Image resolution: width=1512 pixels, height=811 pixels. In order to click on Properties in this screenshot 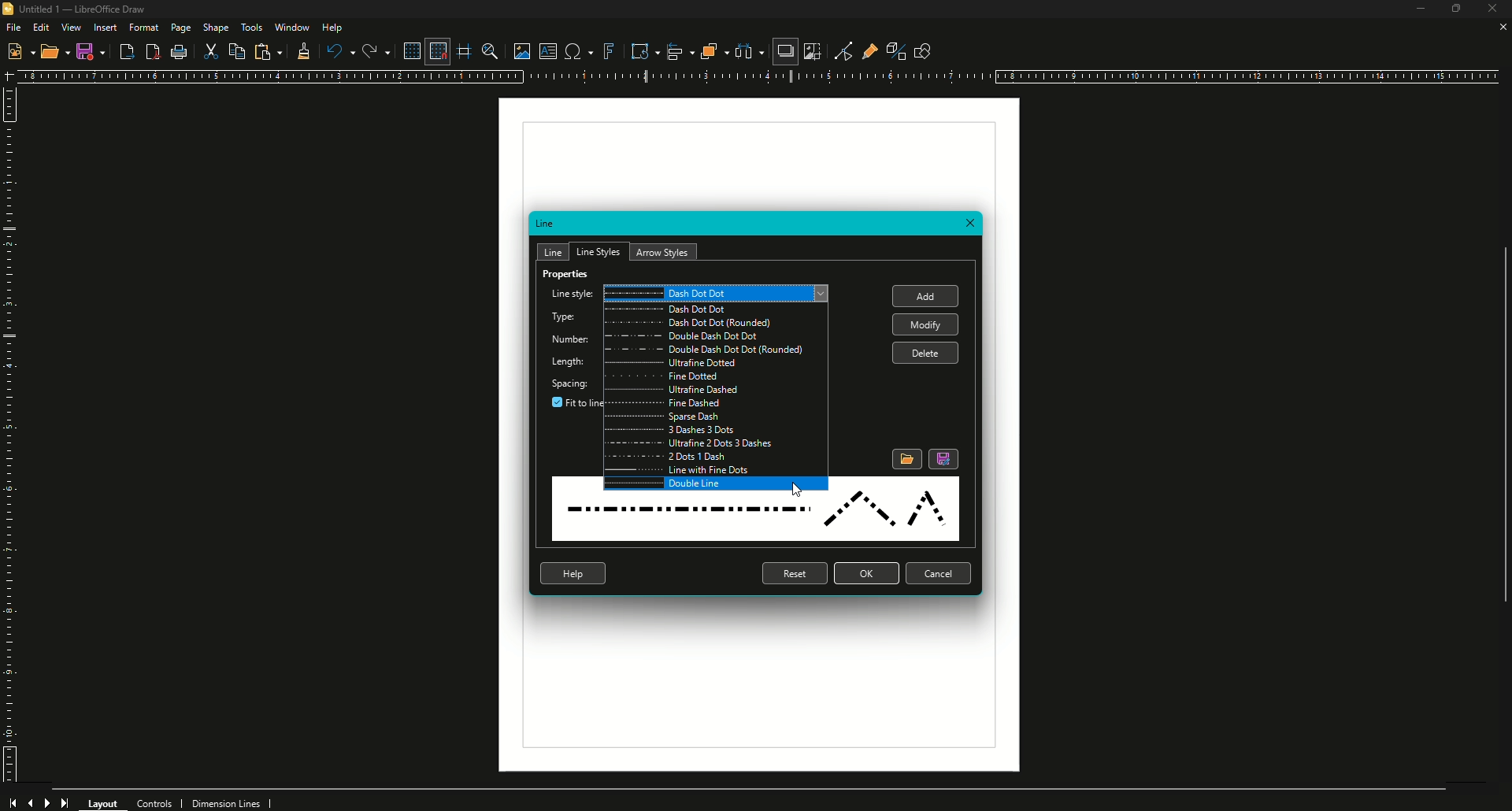, I will do `click(567, 277)`.